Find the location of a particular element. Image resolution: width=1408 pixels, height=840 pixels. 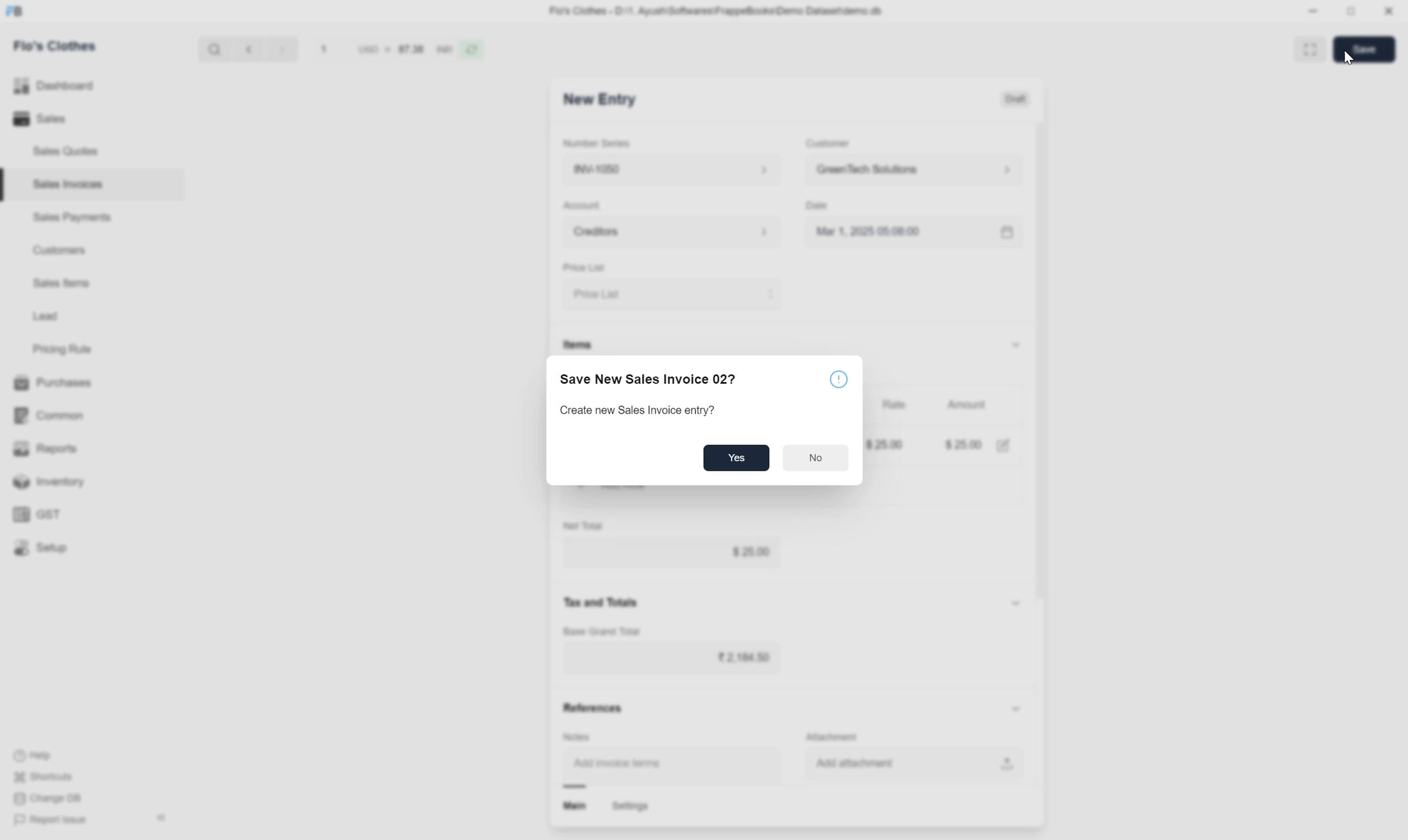

main is located at coordinates (574, 807).